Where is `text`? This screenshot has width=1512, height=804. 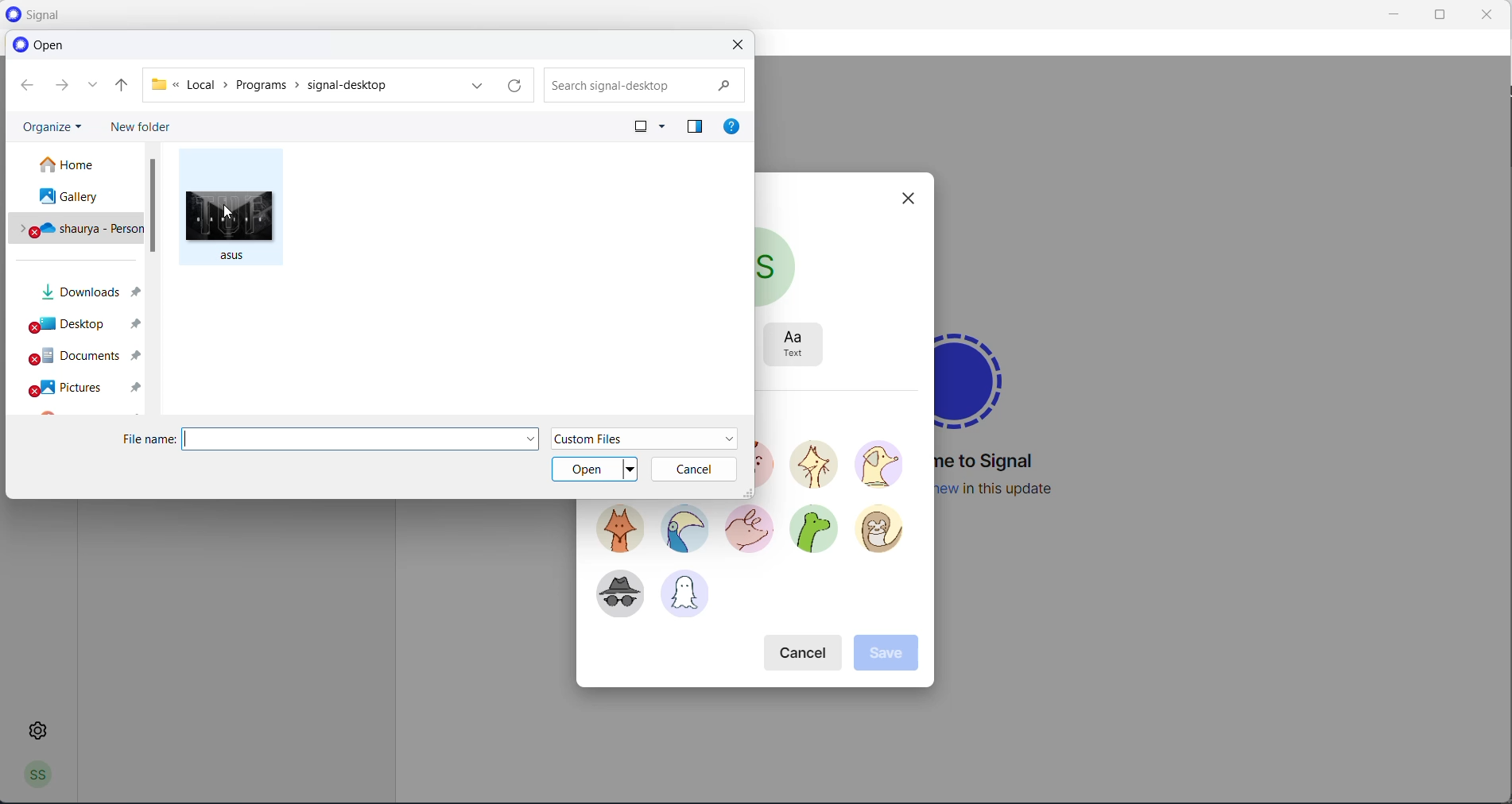
text is located at coordinates (798, 342).